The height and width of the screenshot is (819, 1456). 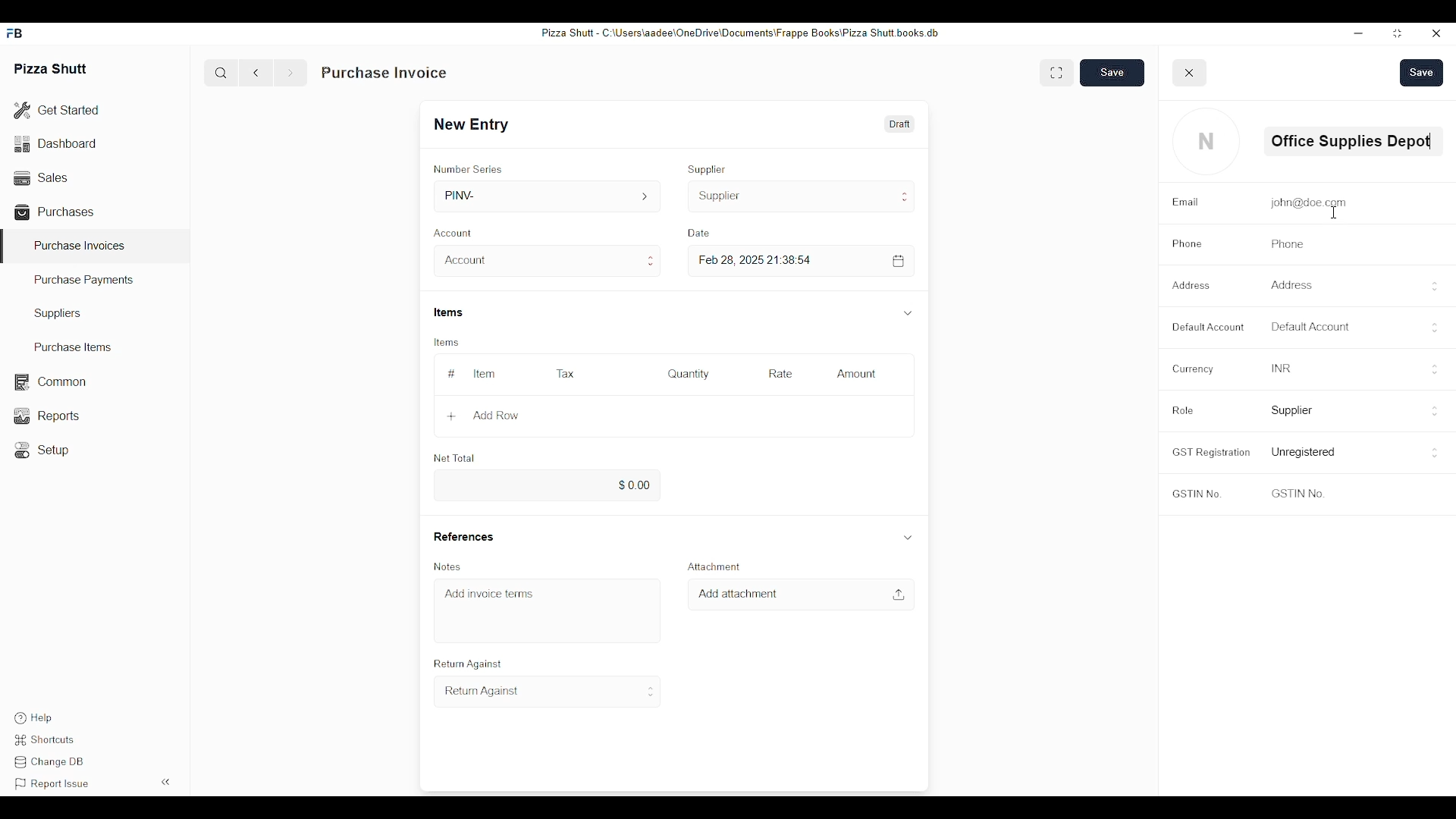 I want to click on enlarge, so click(x=1056, y=71).